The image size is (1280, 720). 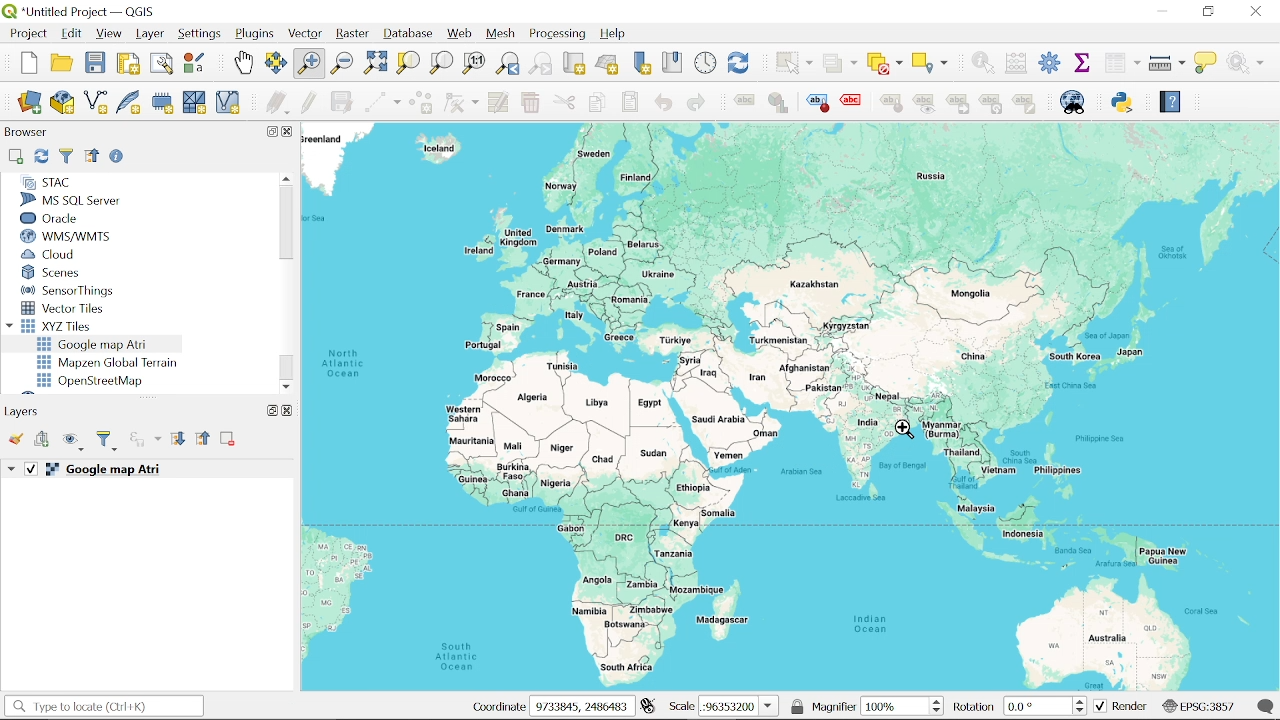 I want to click on Refresh, so click(x=40, y=157).